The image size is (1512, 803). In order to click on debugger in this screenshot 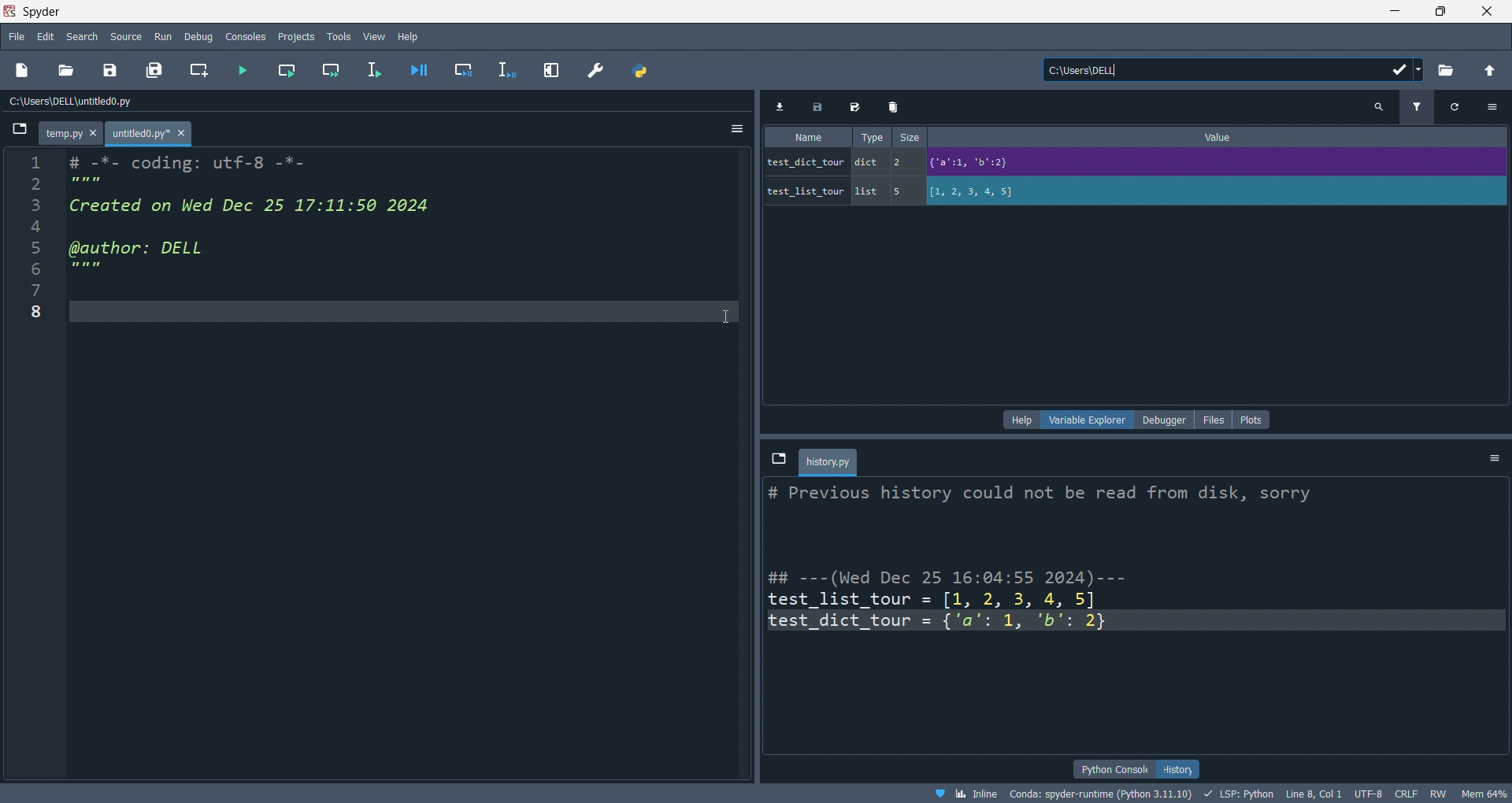, I will do `click(1164, 420)`.